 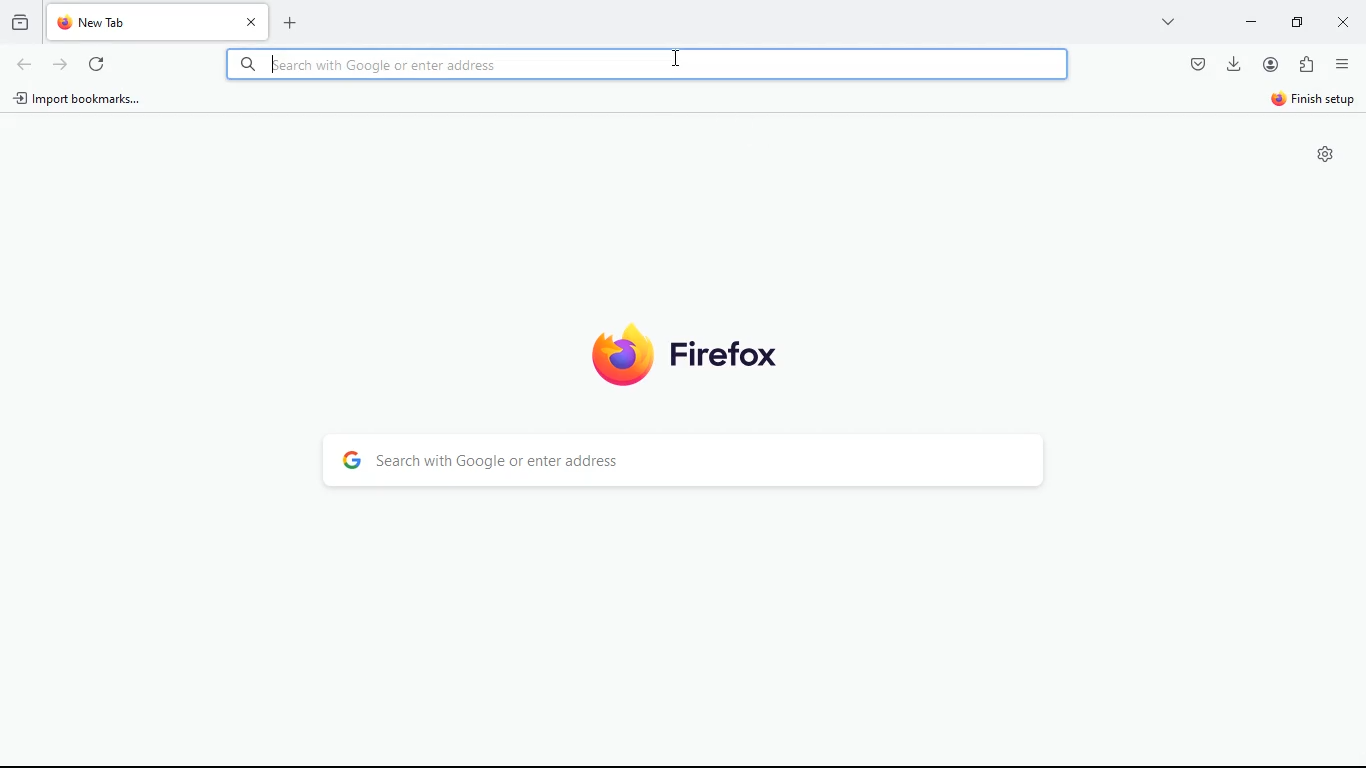 What do you see at coordinates (85, 101) in the screenshot?
I see `import bookmarks` at bounding box center [85, 101].